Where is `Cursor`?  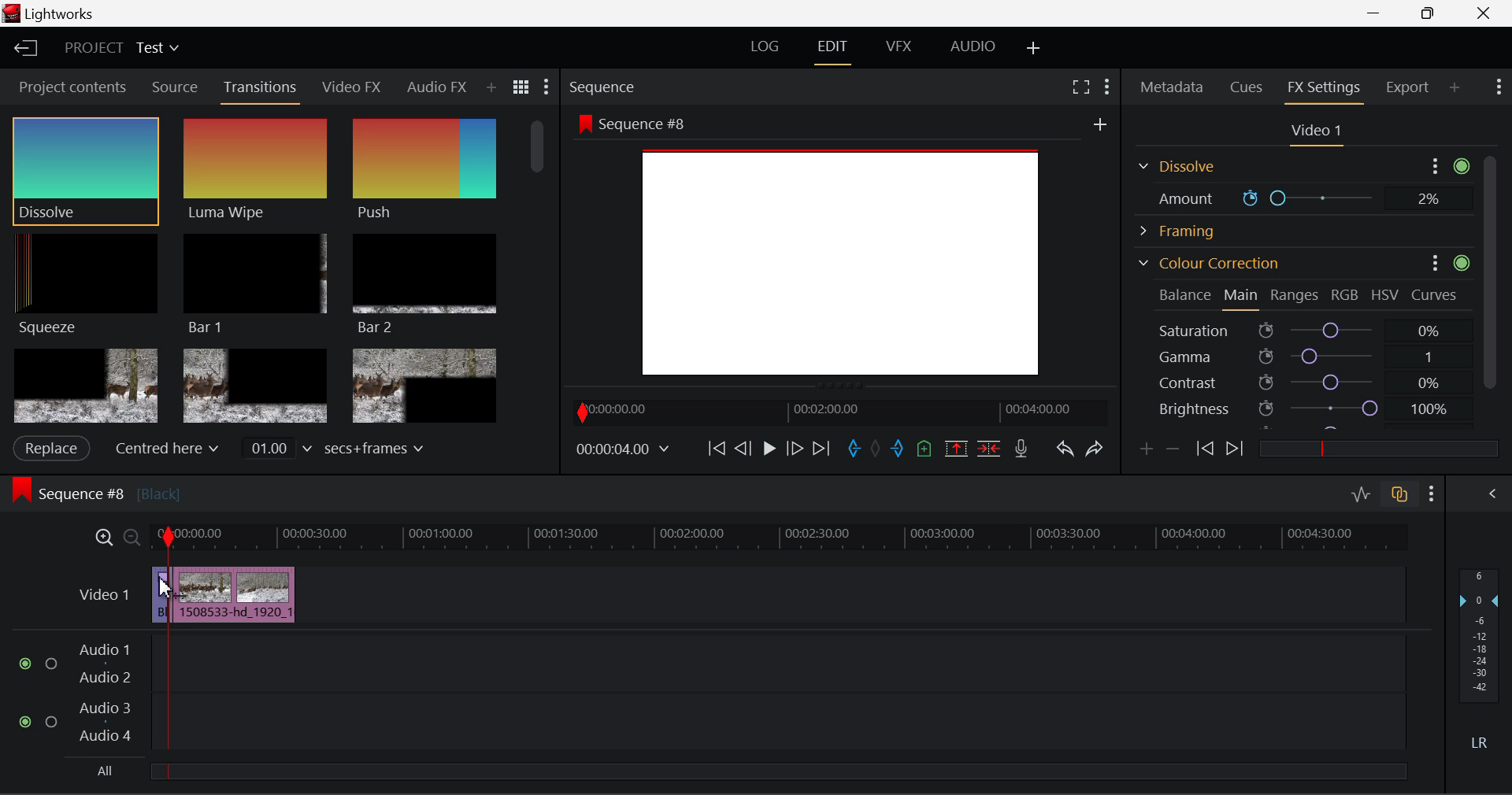 Cursor is located at coordinates (169, 591).